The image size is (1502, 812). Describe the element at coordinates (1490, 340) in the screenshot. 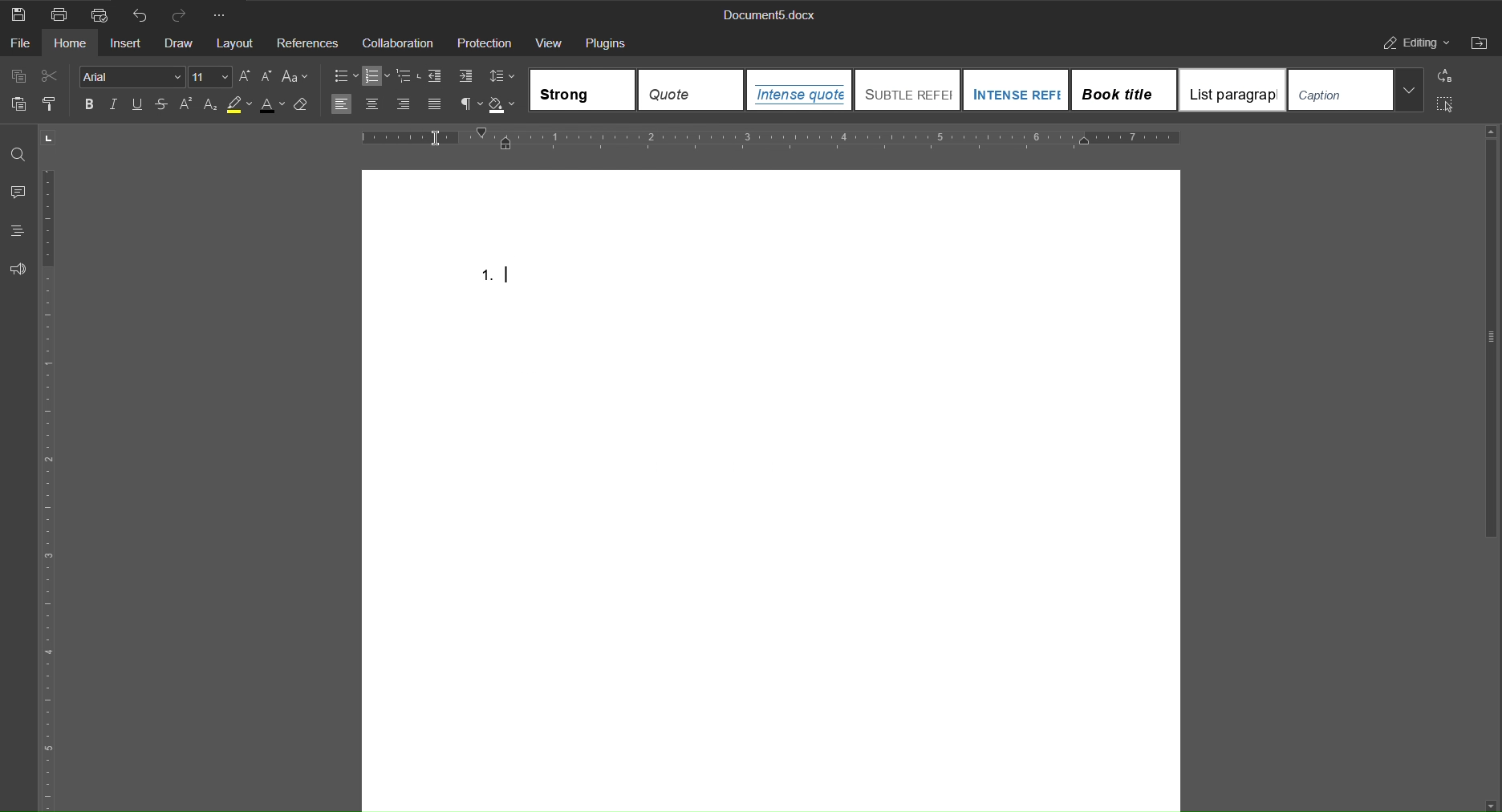

I see `vertical scrollbar` at that location.